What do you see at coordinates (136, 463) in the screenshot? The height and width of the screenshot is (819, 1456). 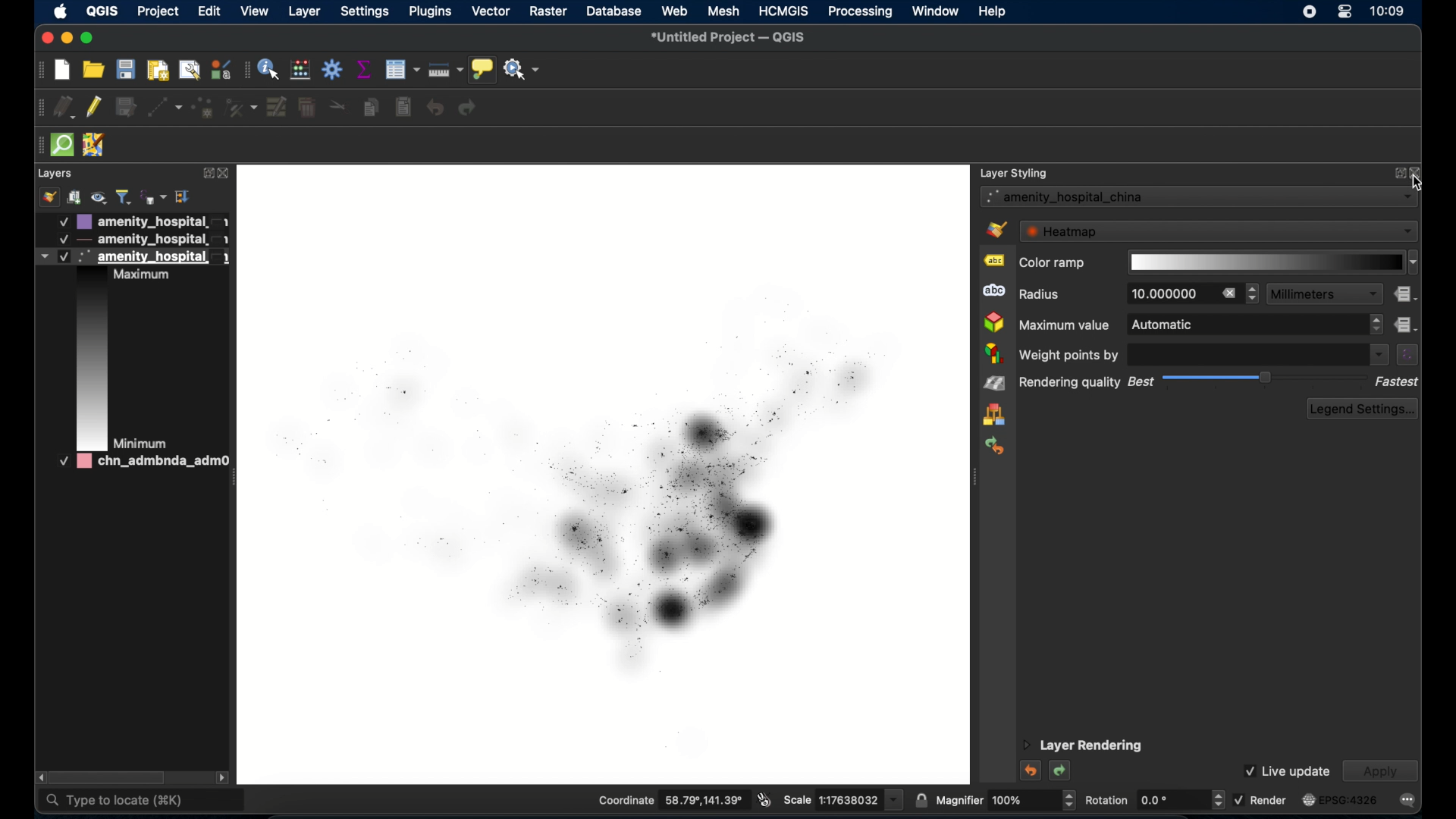 I see `layer 4` at bounding box center [136, 463].